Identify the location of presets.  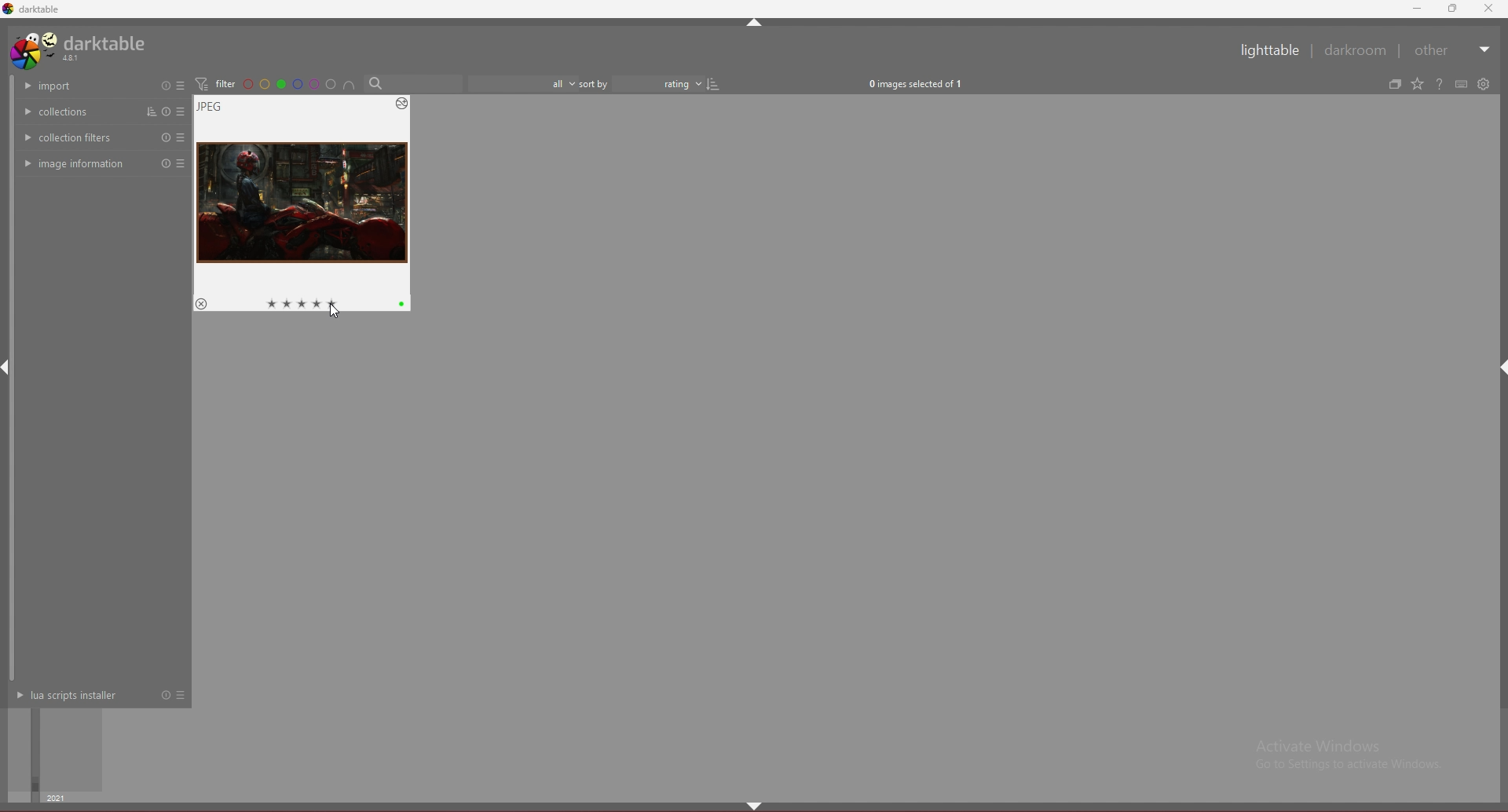
(181, 85).